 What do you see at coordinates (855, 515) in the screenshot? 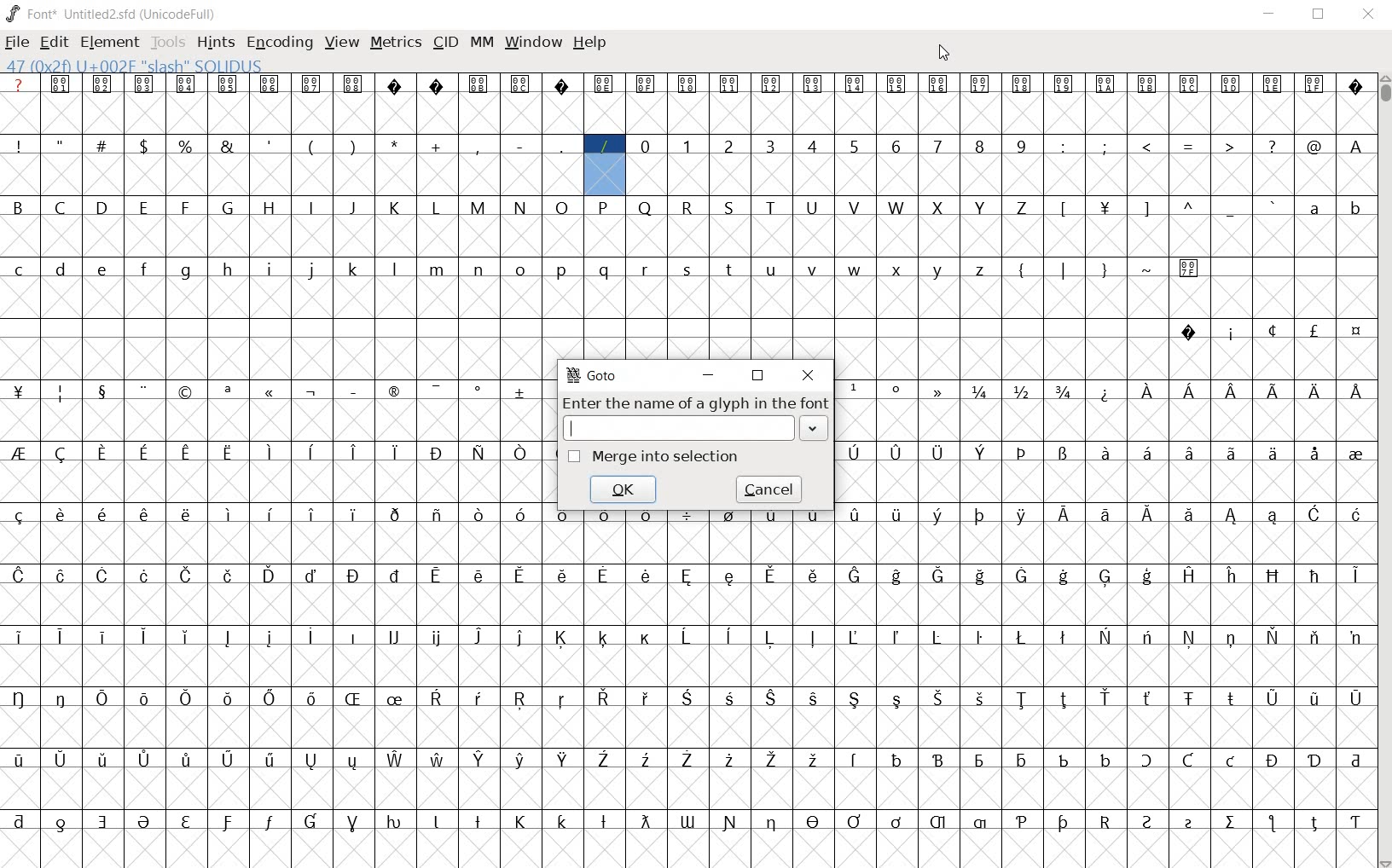
I see `glyph` at bounding box center [855, 515].